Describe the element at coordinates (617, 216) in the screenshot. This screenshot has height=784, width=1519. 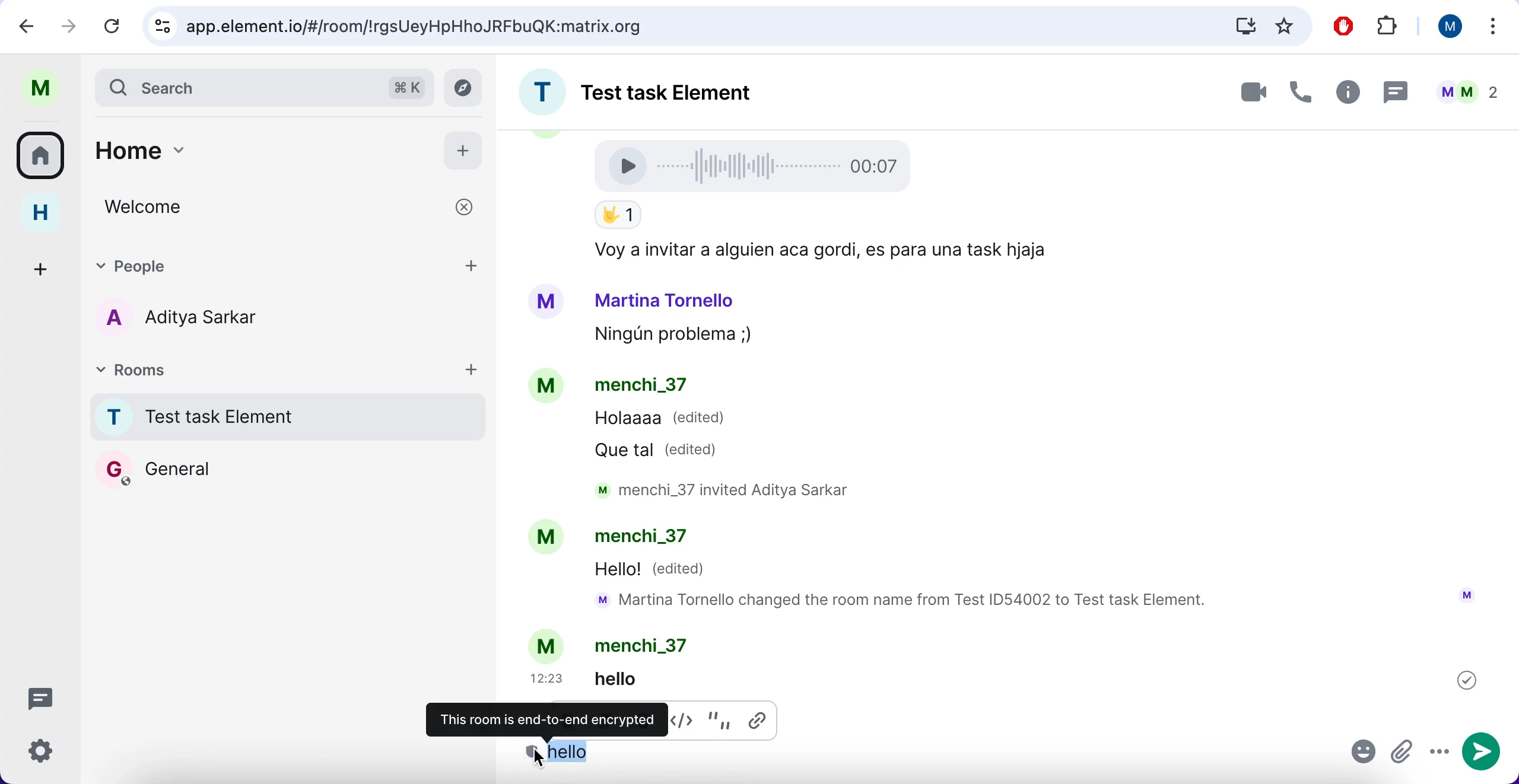
I see `Thumbs up Emoji` at that location.